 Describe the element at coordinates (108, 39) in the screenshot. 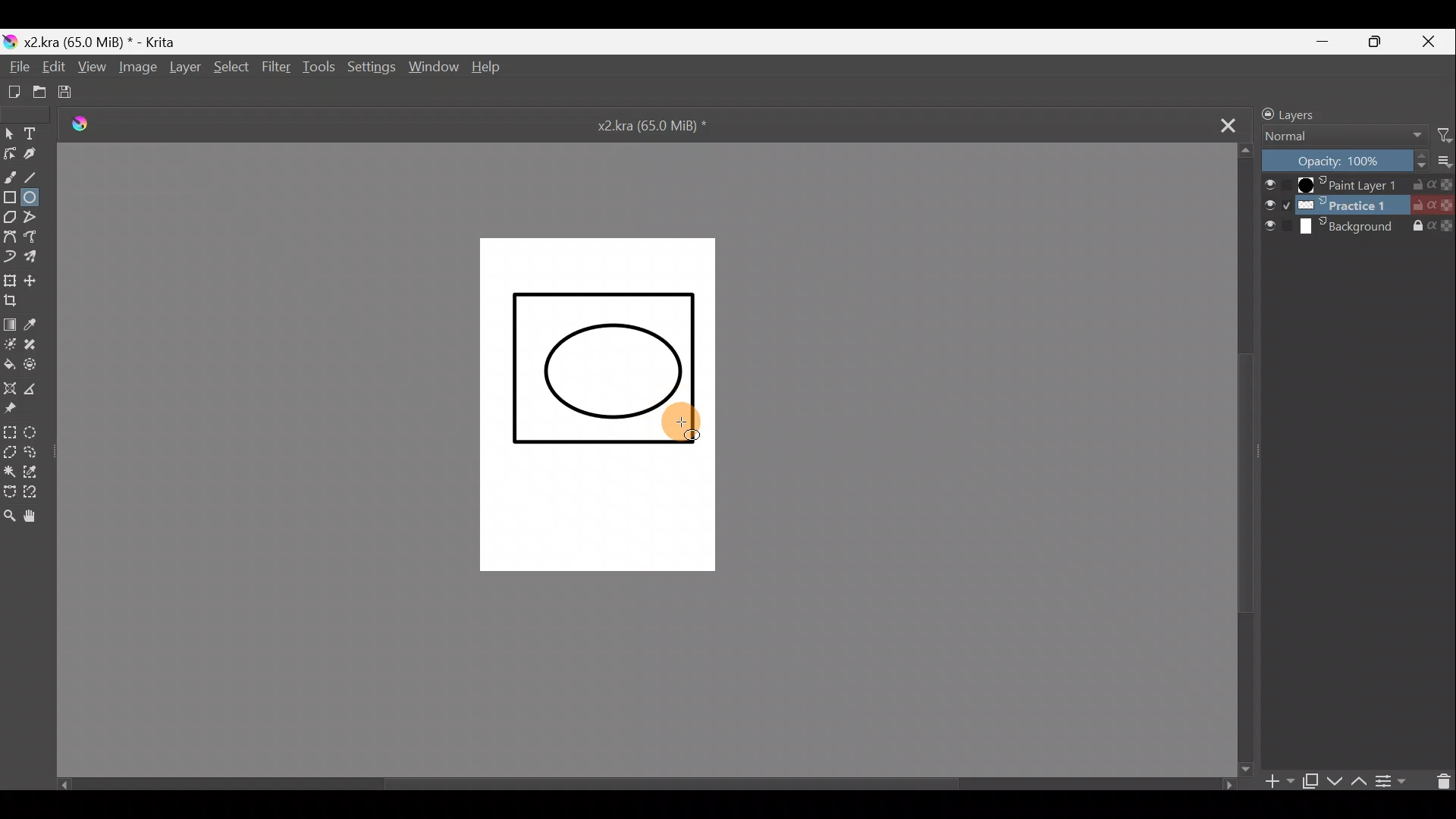

I see `x2.kra (65.0 MiB) * - Krita` at that location.